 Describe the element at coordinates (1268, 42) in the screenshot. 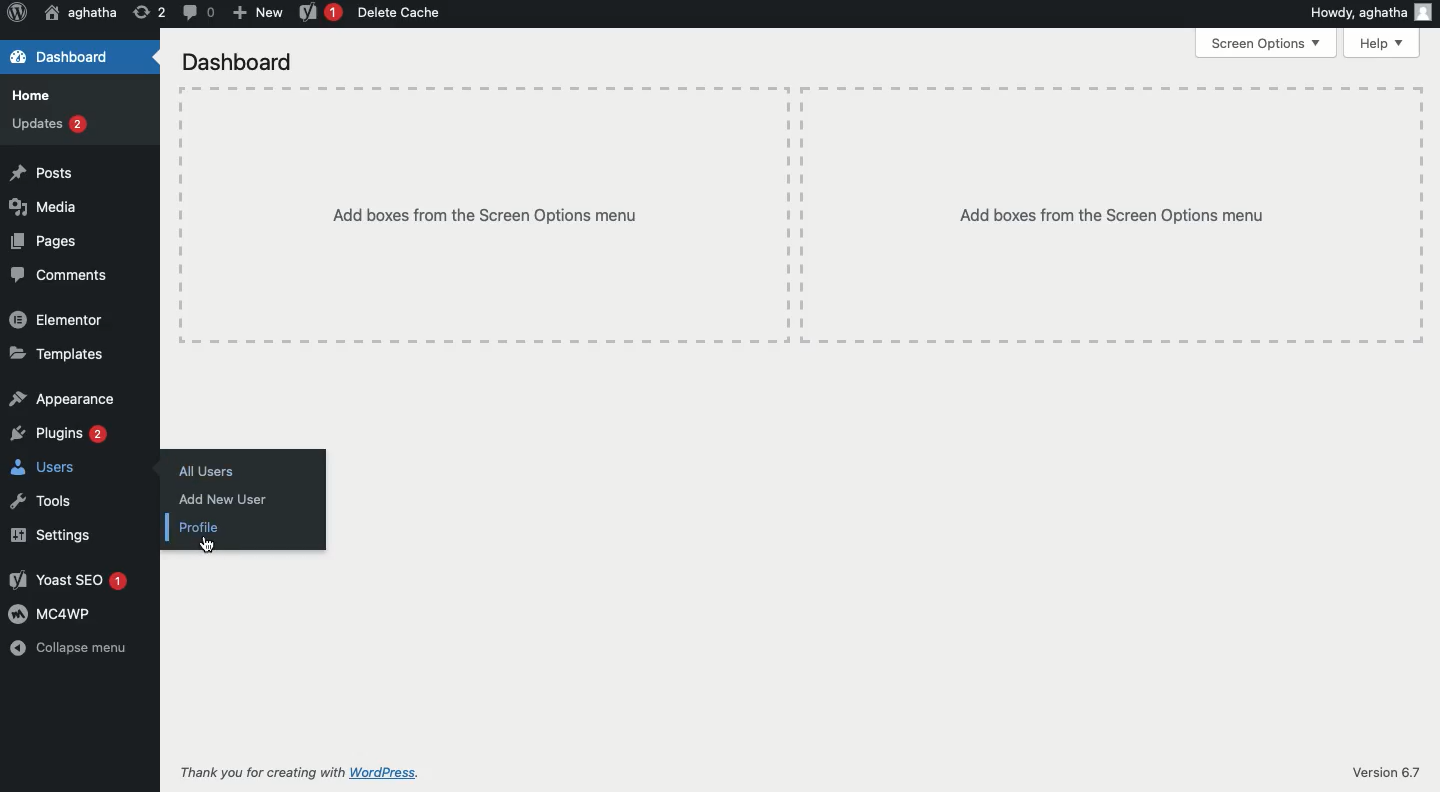

I see `Screen options` at that location.